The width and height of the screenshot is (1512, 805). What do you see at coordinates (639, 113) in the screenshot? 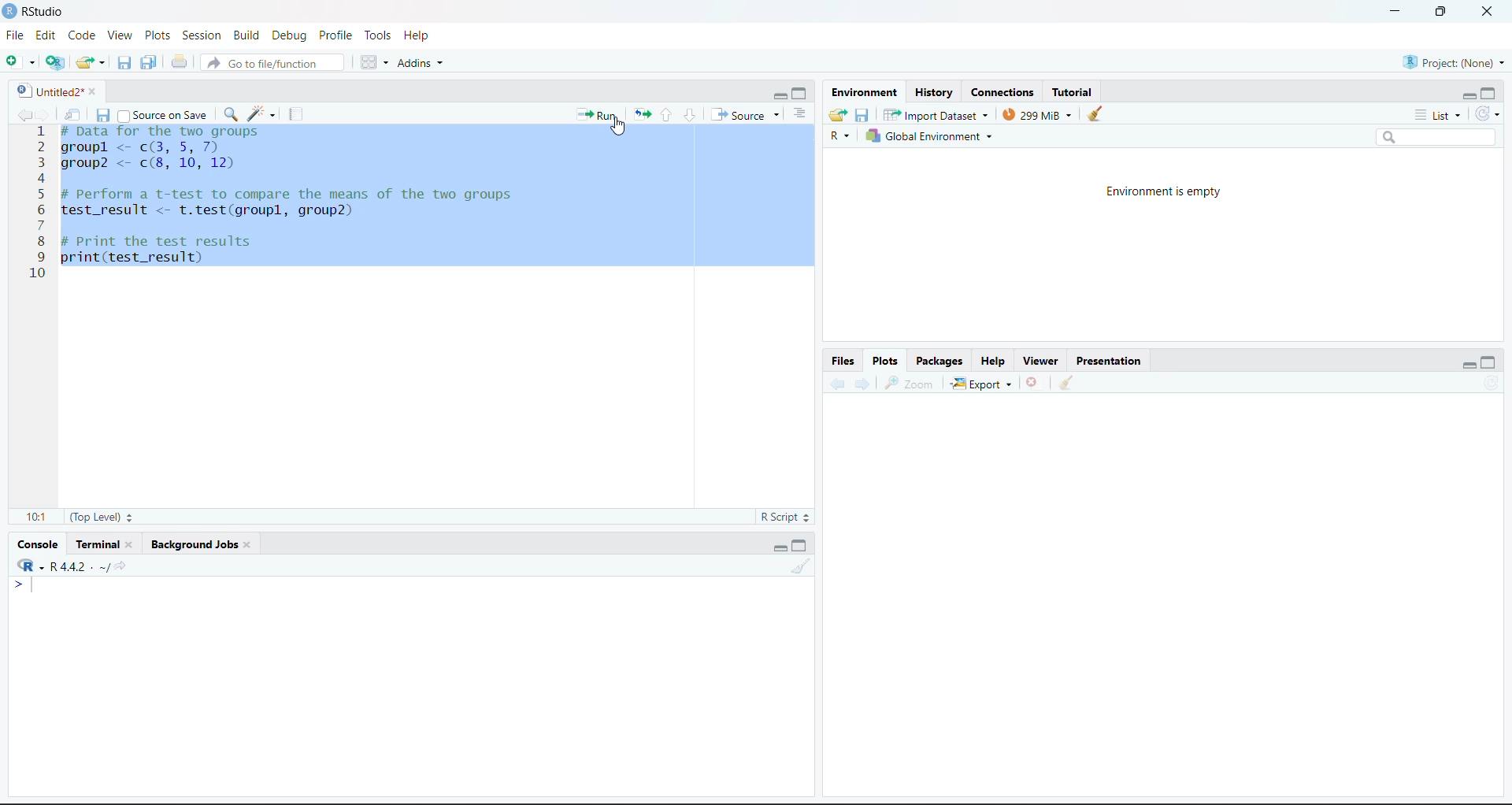
I see `Re-run the previous code again` at bounding box center [639, 113].